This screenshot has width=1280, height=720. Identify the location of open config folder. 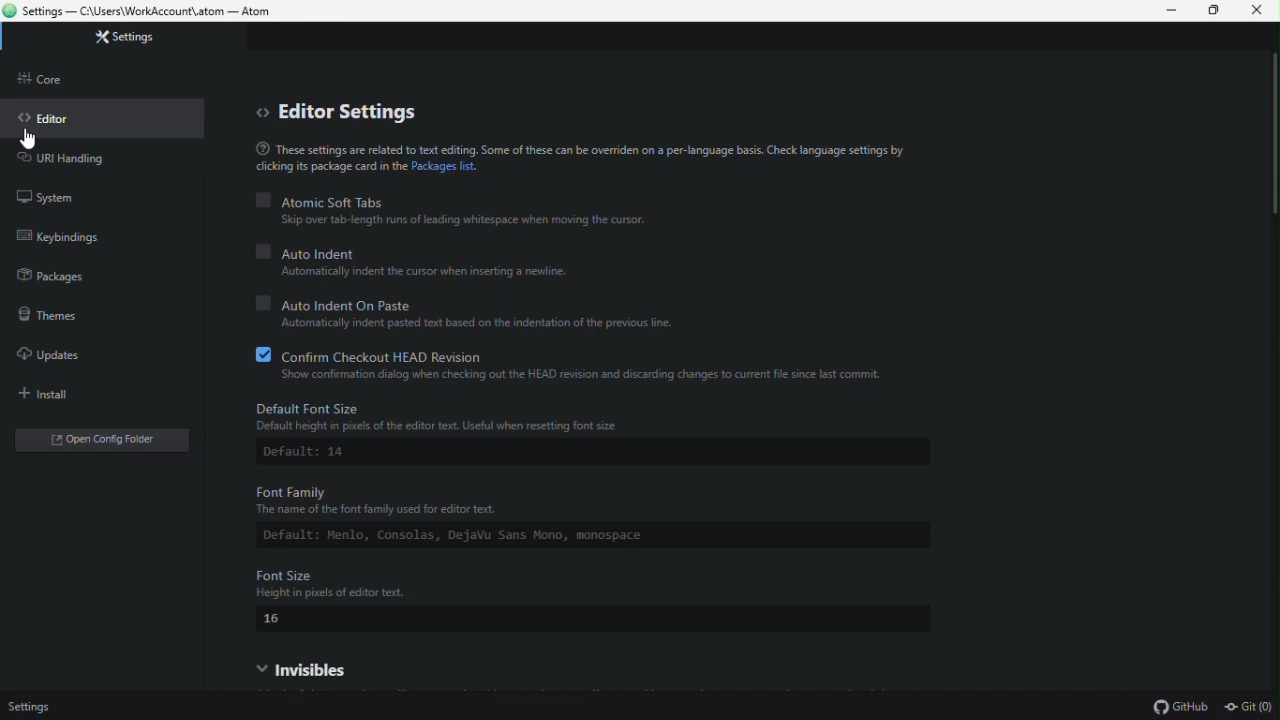
(107, 442).